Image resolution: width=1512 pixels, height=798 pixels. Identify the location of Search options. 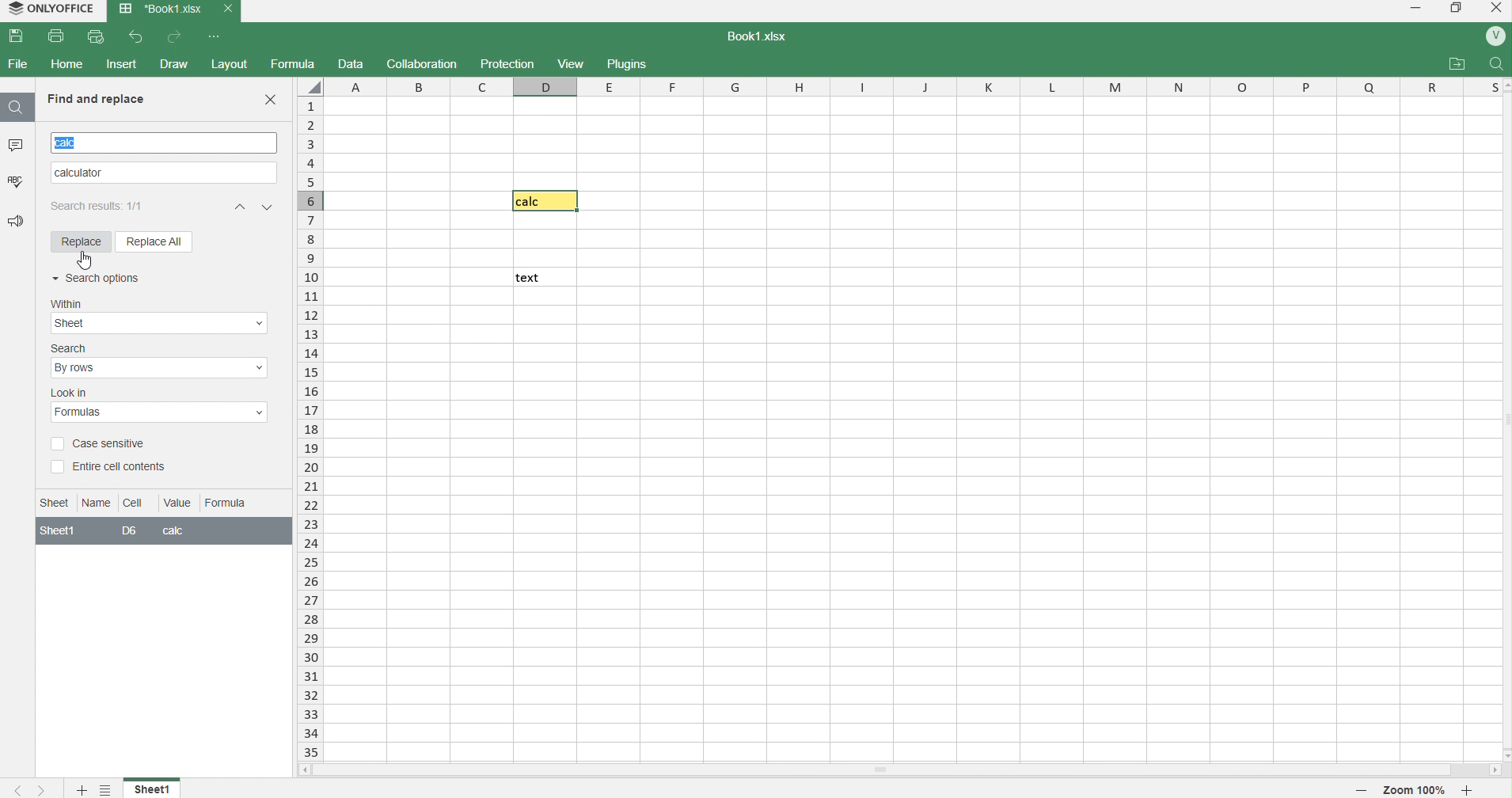
(157, 368).